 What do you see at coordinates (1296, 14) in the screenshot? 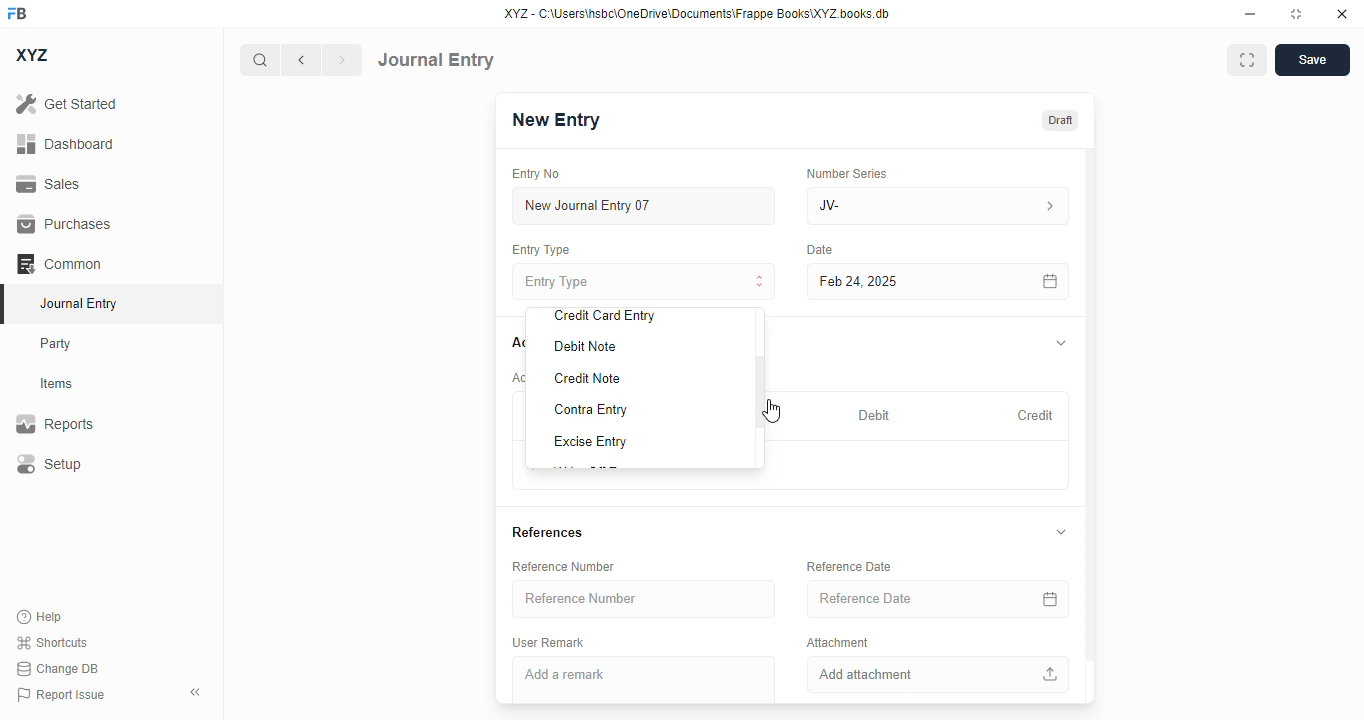
I see `toggle maximize` at bounding box center [1296, 14].